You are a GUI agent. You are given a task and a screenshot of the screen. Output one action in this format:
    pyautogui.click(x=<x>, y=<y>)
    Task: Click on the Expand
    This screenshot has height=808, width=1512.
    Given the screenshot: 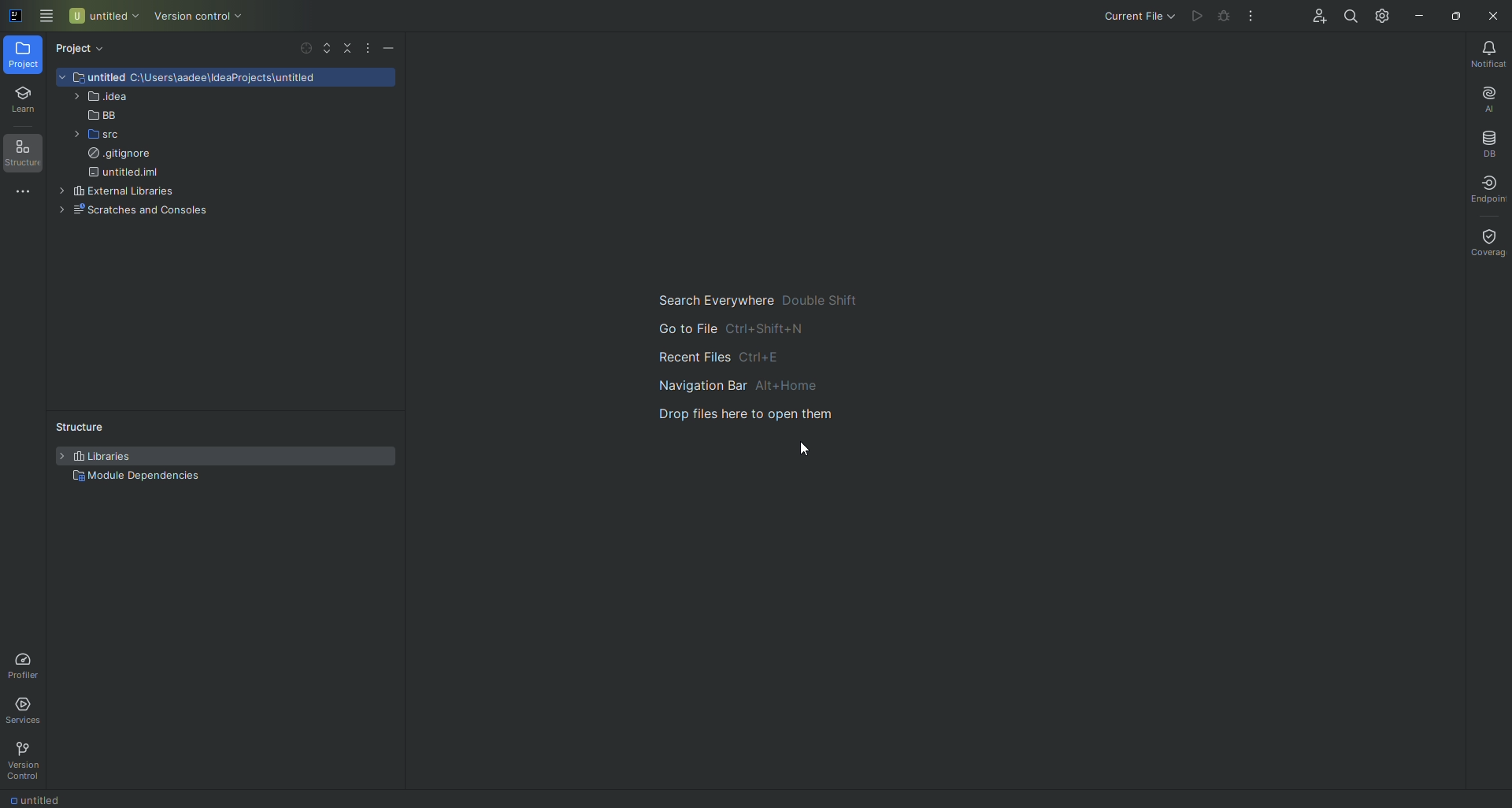 What is the action you would take?
    pyautogui.click(x=326, y=47)
    